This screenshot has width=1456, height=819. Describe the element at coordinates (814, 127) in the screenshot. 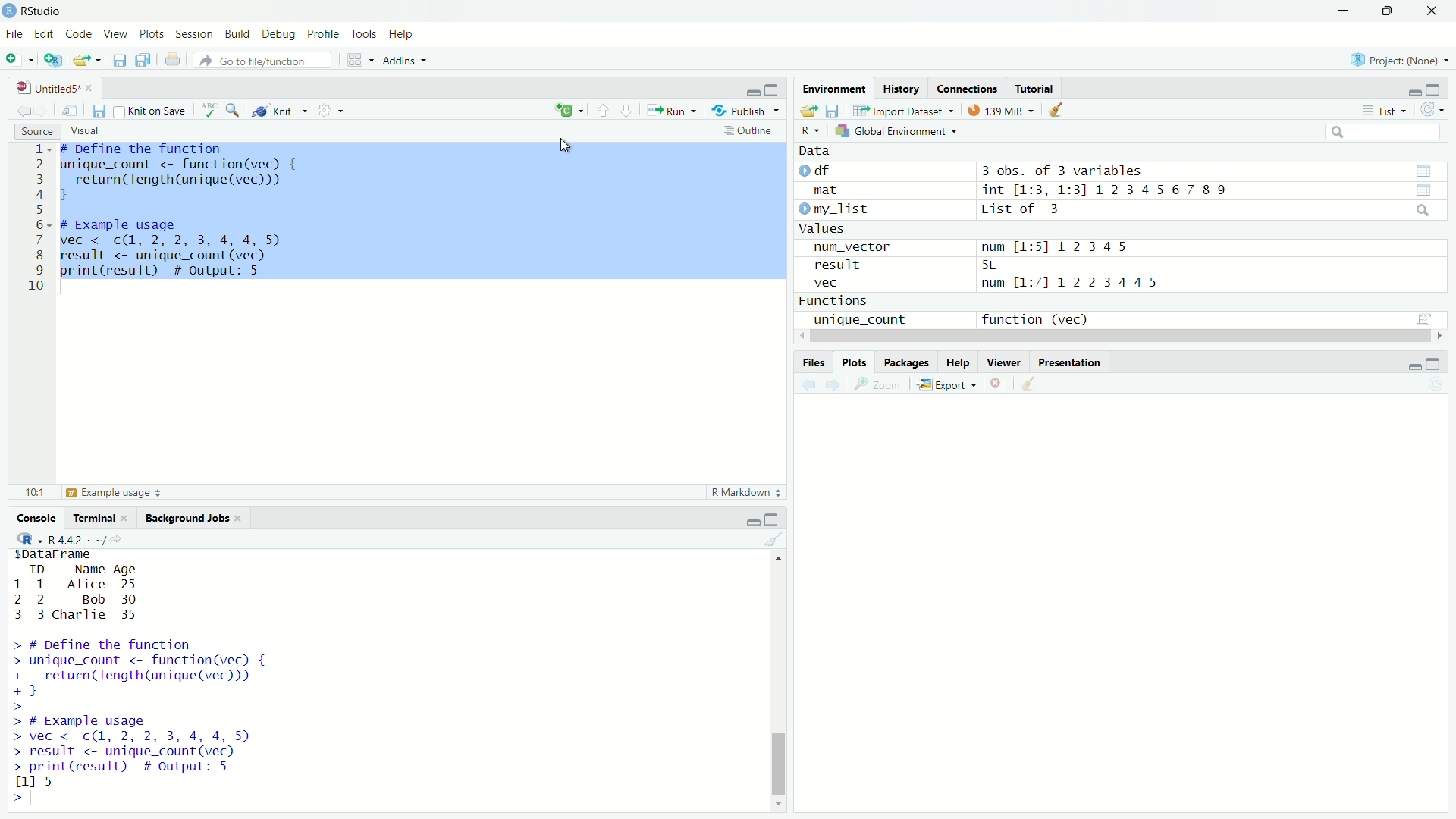

I see `R dropdown` at that location.